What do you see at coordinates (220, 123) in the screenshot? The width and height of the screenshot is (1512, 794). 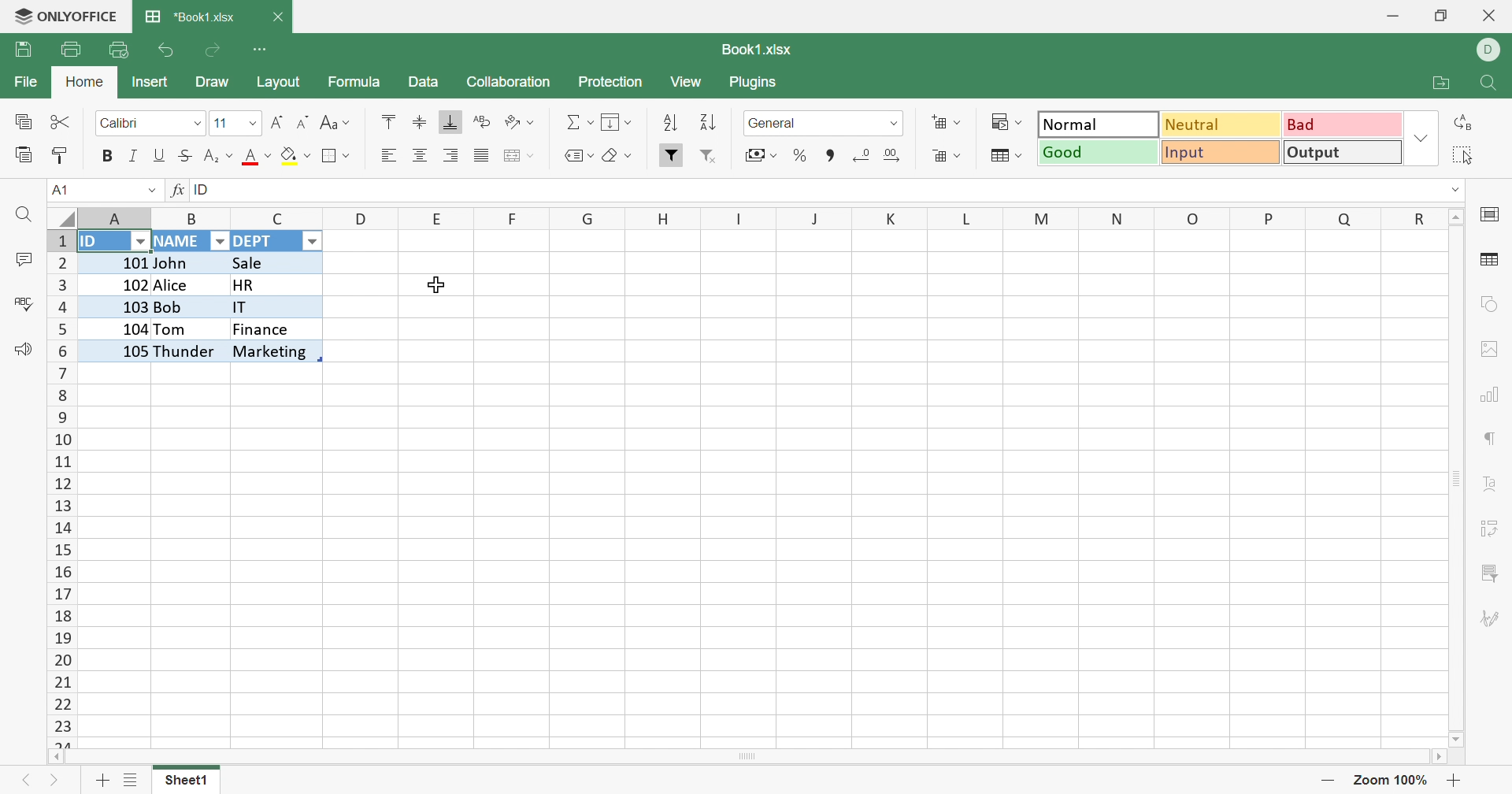 I see `11` at bounding box center [220, 123].